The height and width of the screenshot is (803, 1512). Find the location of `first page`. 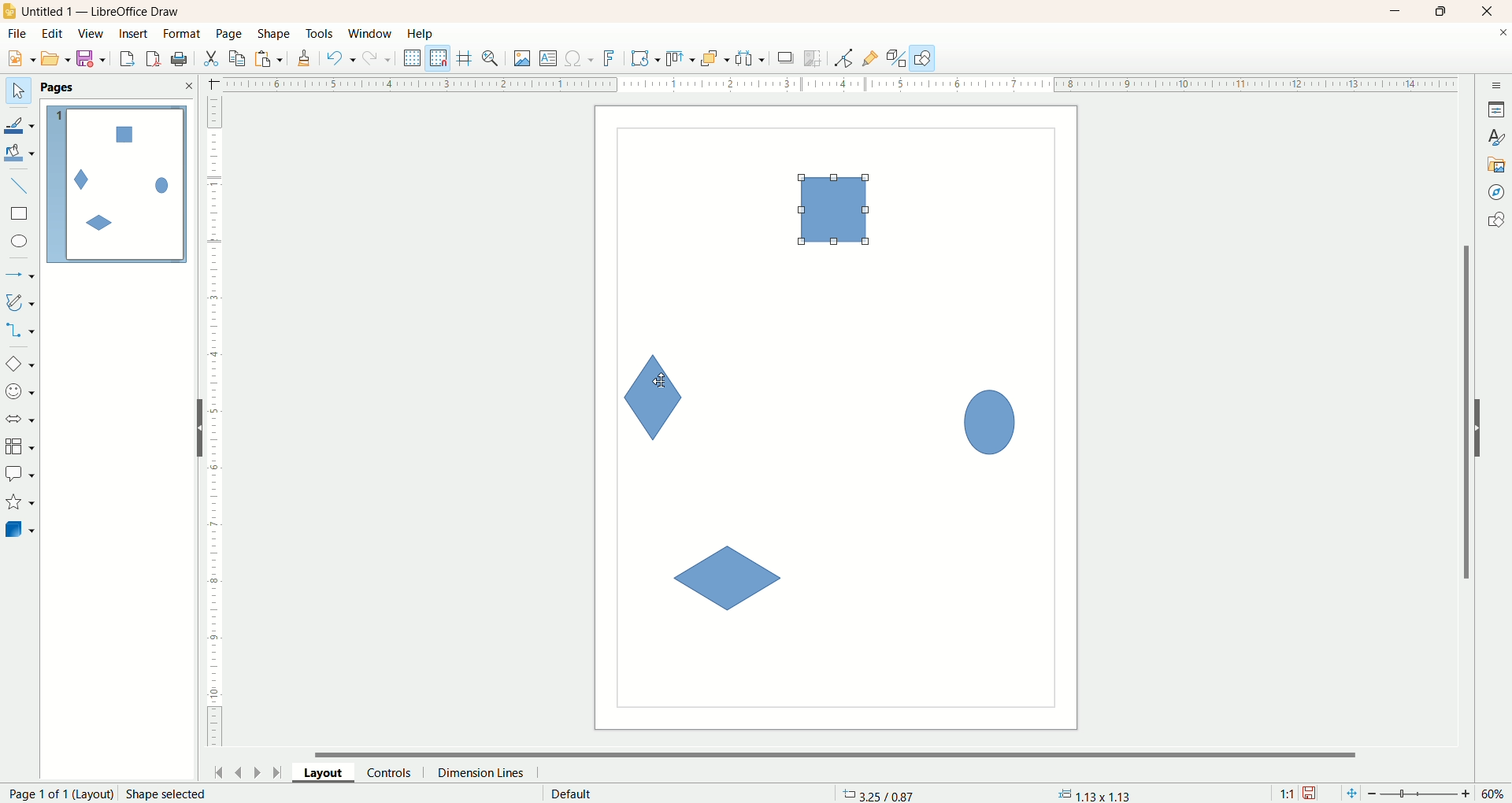

first page is located at coordinates (216, 770).